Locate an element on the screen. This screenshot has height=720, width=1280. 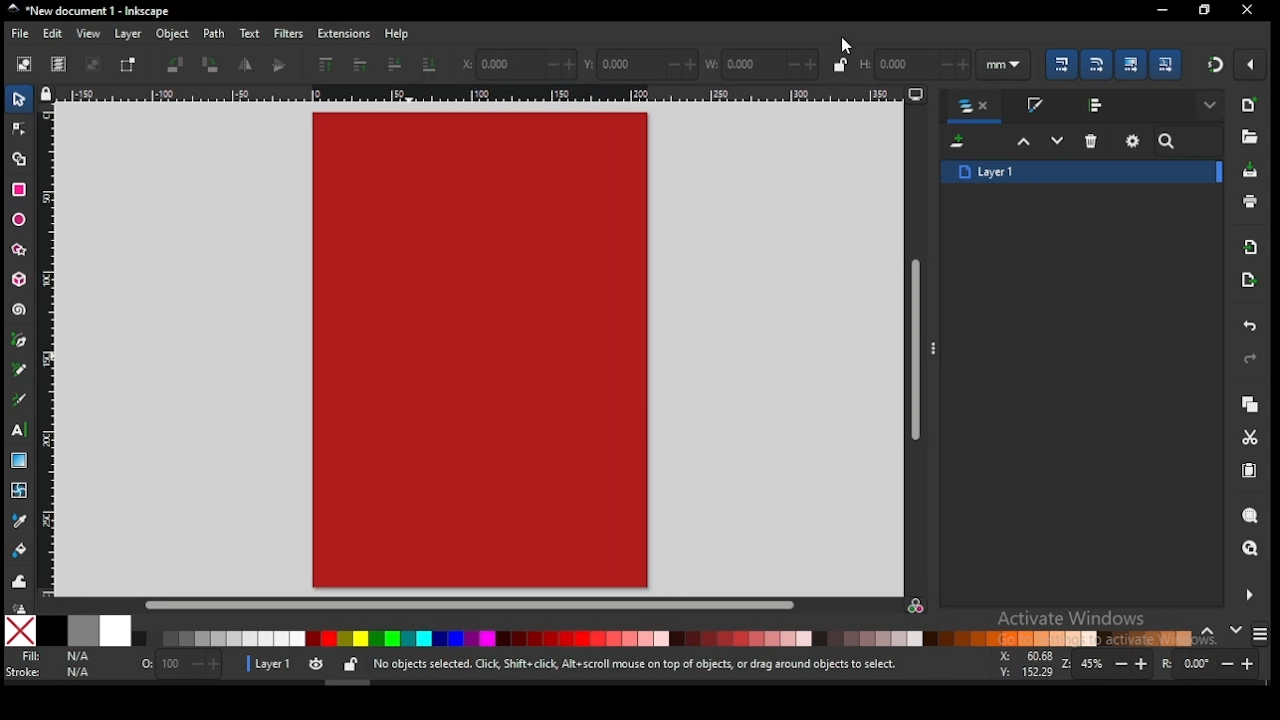
zoom object is located at coordinates (1250, 516).